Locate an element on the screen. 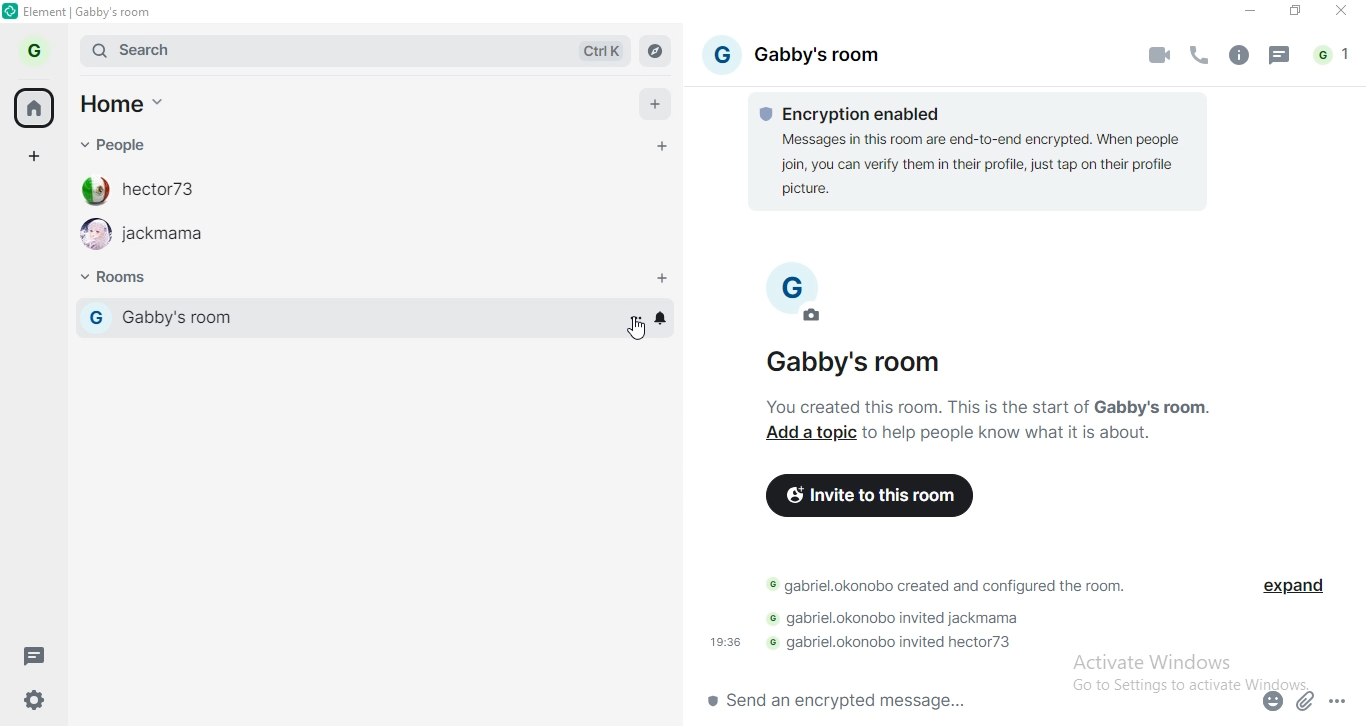 The width and height of the screenshot is (1366, 726). Ctrl K is located at coordinates (600, 52).